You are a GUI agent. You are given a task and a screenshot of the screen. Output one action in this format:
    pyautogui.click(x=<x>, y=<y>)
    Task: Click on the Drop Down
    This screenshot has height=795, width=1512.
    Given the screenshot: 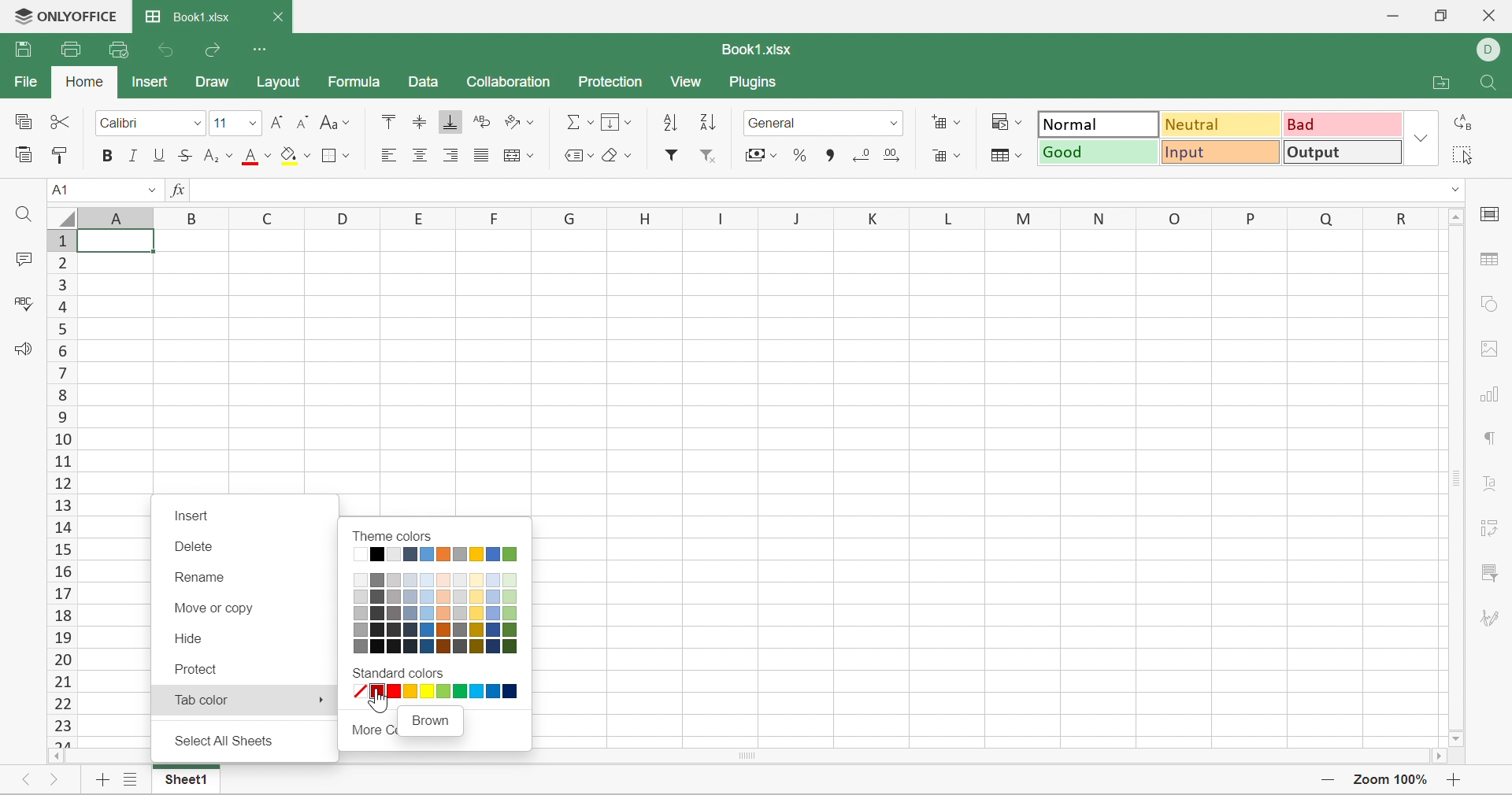 What is the action you would take?
    pyautogui.click(x=143, y=189)
    